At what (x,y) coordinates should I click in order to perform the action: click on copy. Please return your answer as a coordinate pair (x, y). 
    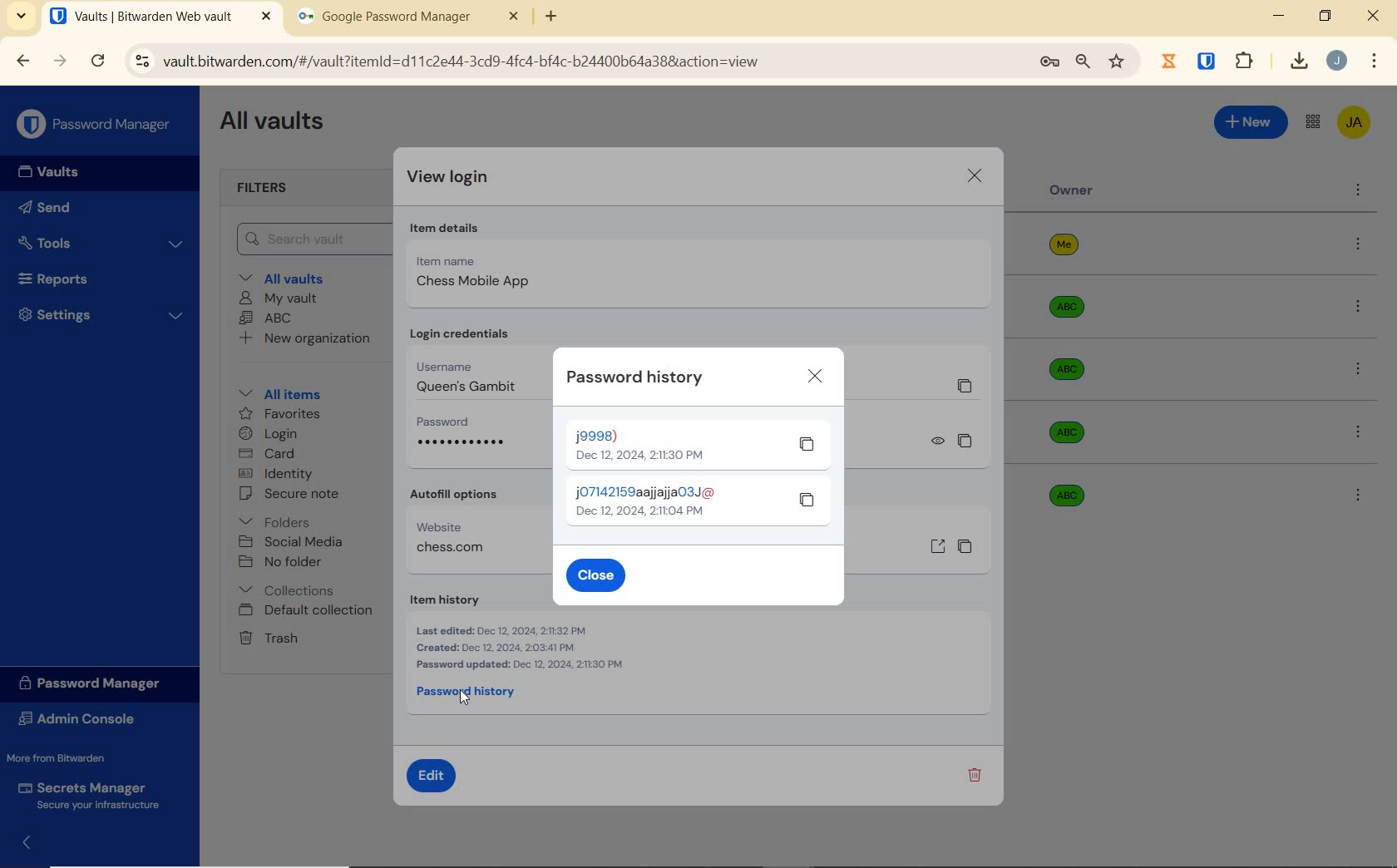
    Looking at the image, I should click on (967, 545).